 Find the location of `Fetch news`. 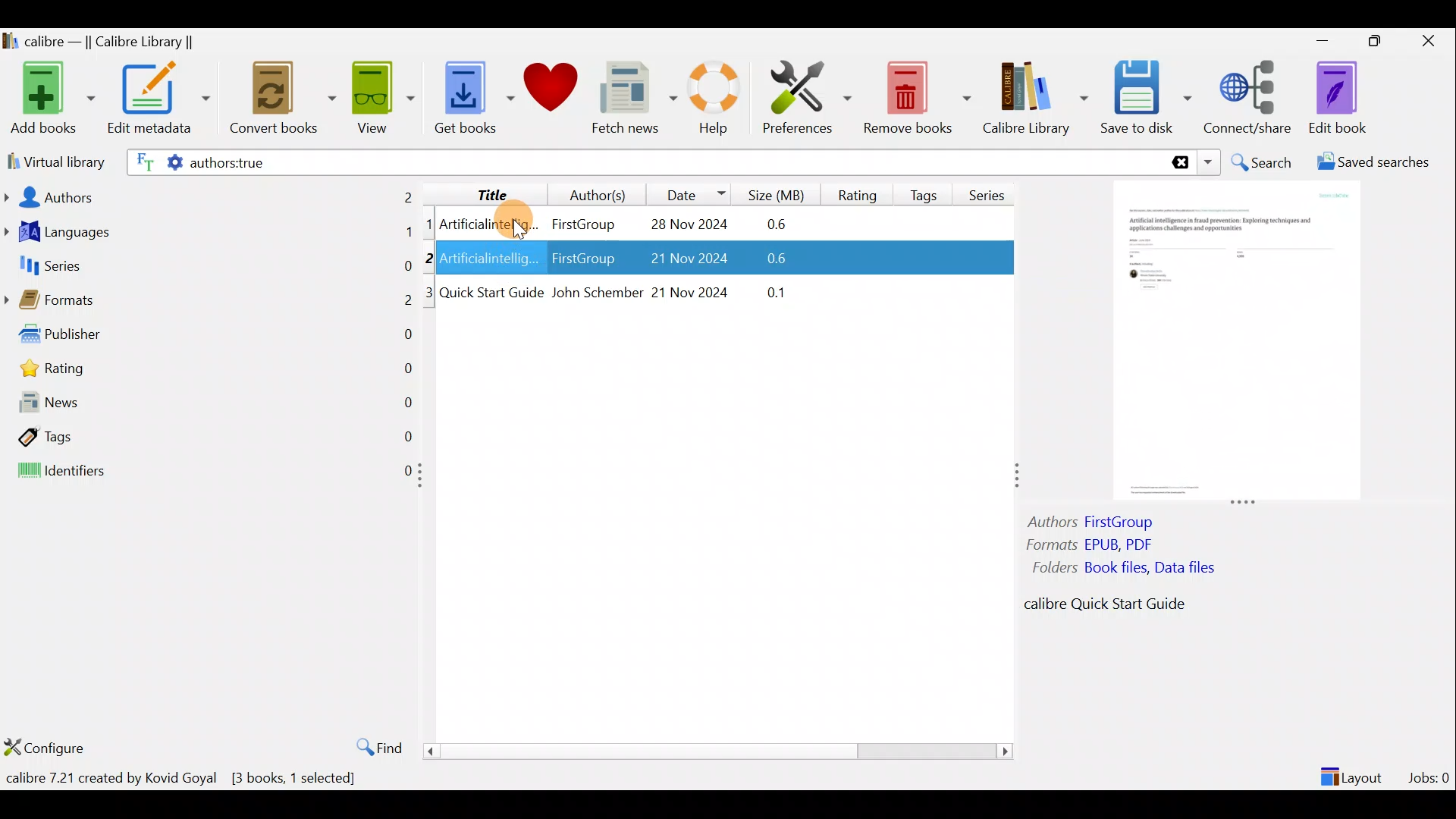

Fetch news is located at coordinates (631, 102).